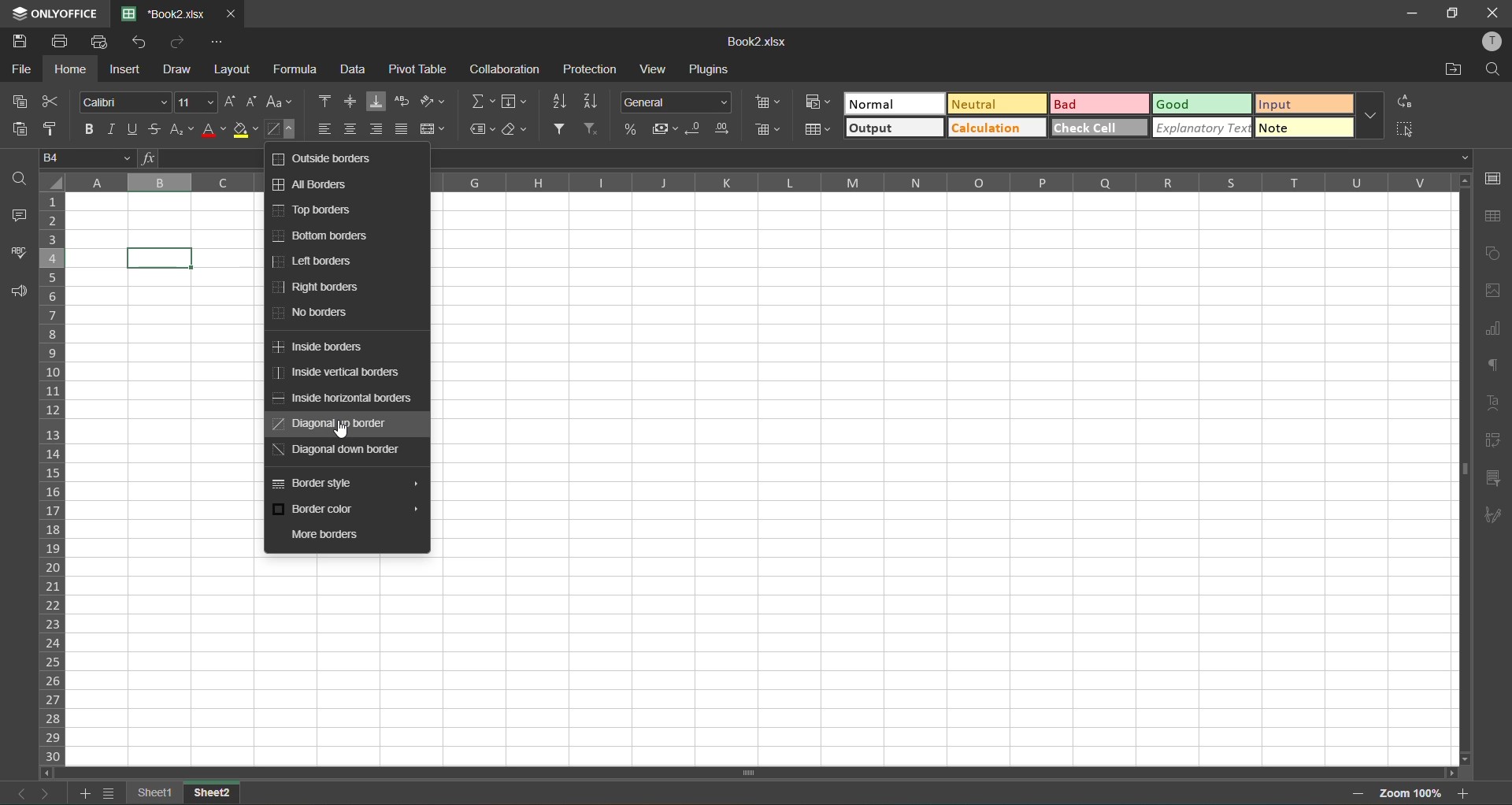  I want to click on normal, so click(895, 106).